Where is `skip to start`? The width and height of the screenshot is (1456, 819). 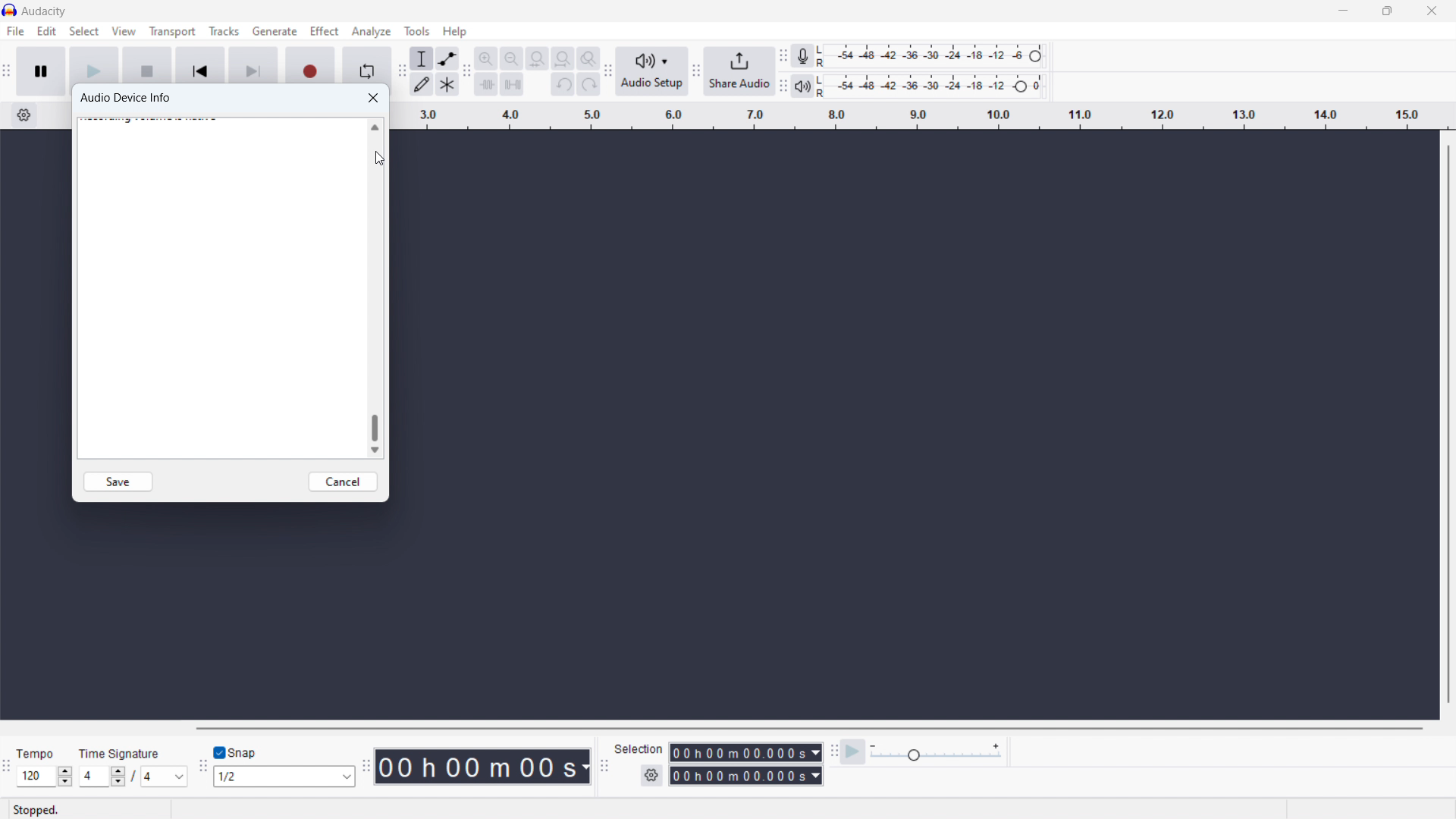 skip to start is located at coordinates (201, 64).